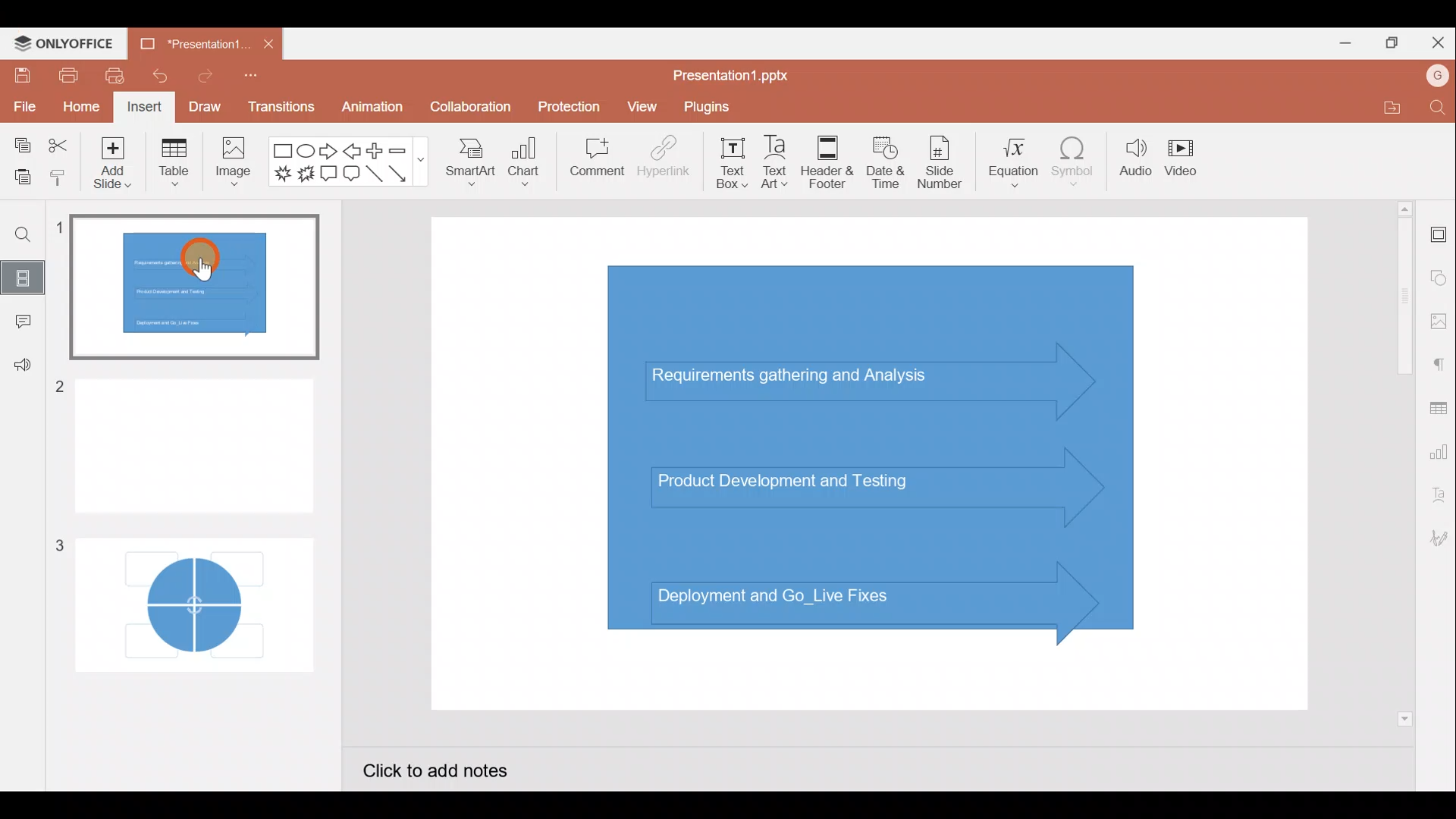 This screenshot has height=819, width=1456. I want to click on Find, so click(1435, 108).